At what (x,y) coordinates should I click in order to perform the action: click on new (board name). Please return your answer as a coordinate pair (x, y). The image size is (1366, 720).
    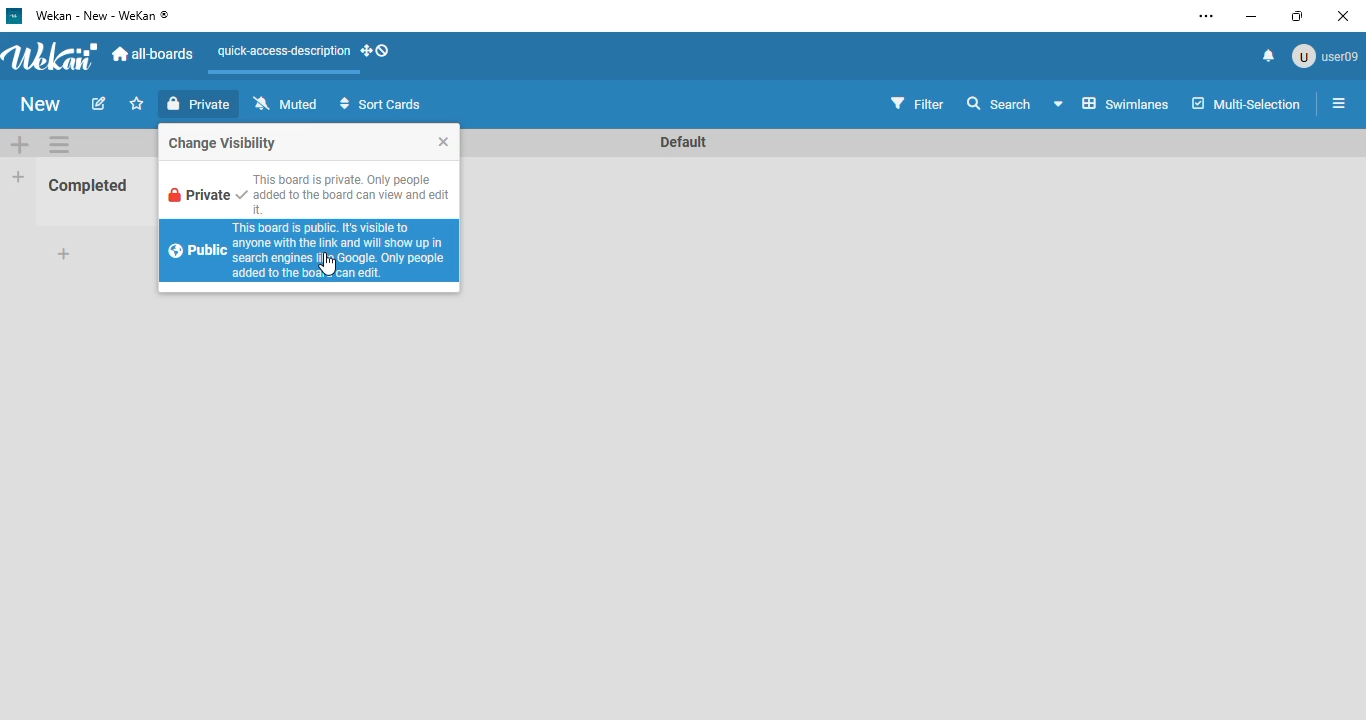
    Looking at the image, I should click on (41, 104).